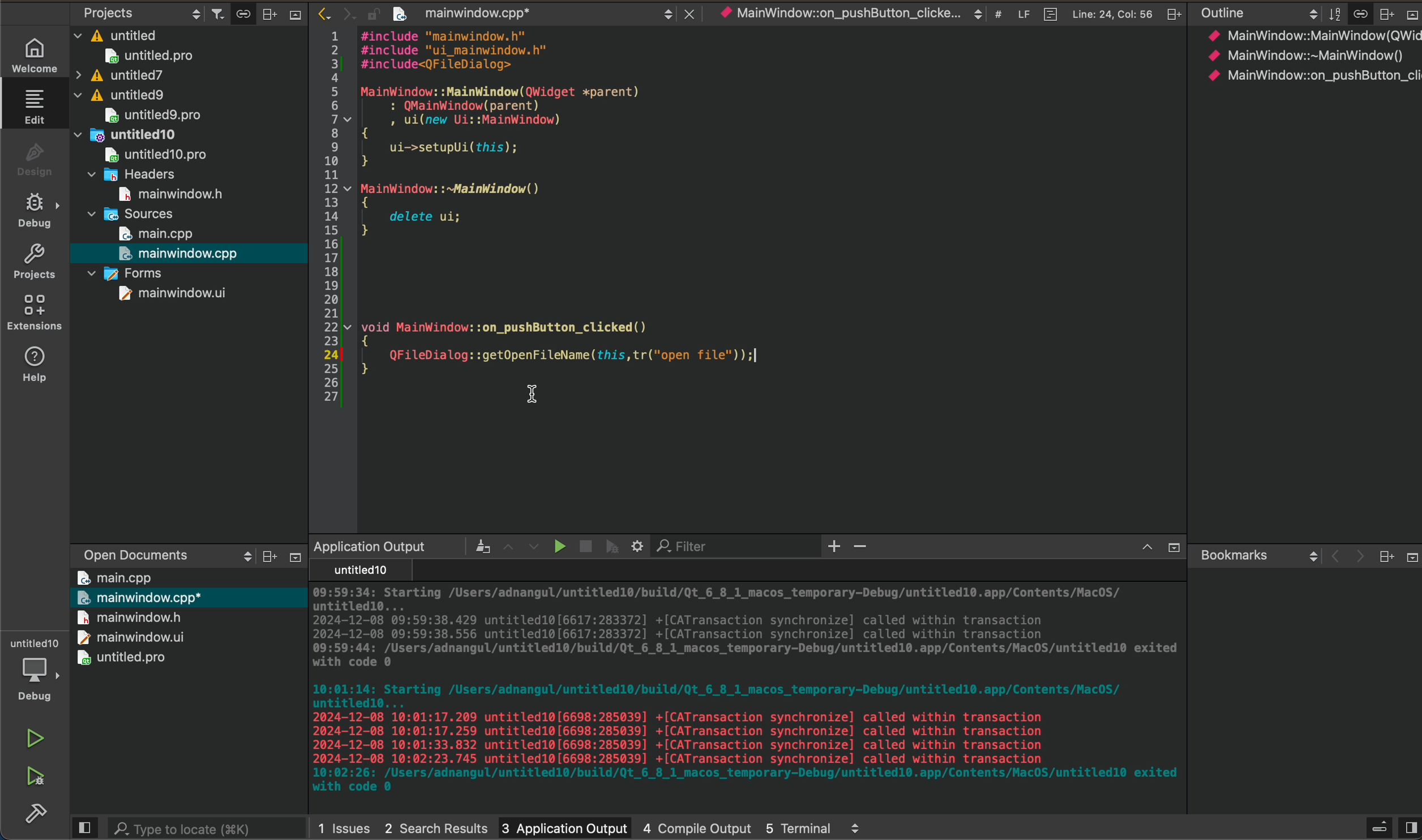 This screenshot has width=1422, height=840. What do you see at coordinates (117, 33) in the screenshot?
I see `untitled` at bounding box center [117, 33].